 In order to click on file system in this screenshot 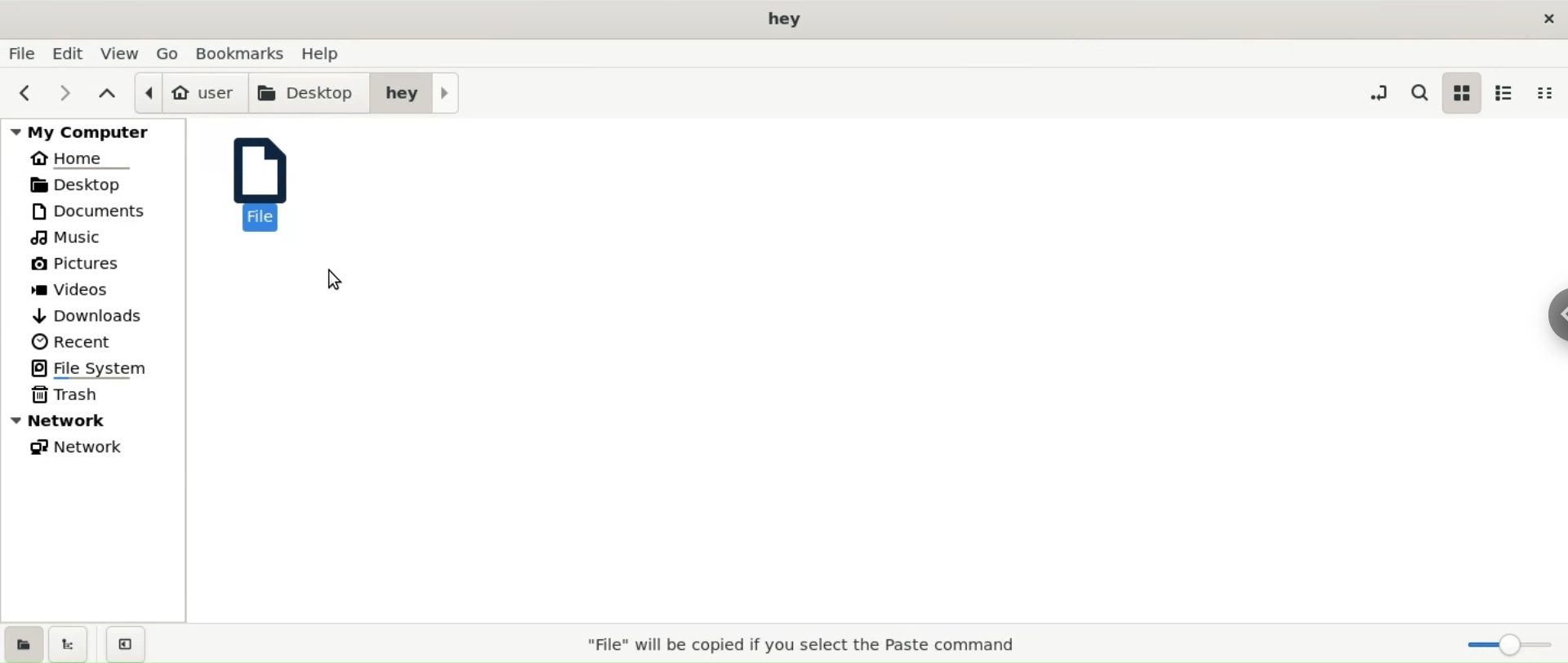, I will do `click(99, 368)`.